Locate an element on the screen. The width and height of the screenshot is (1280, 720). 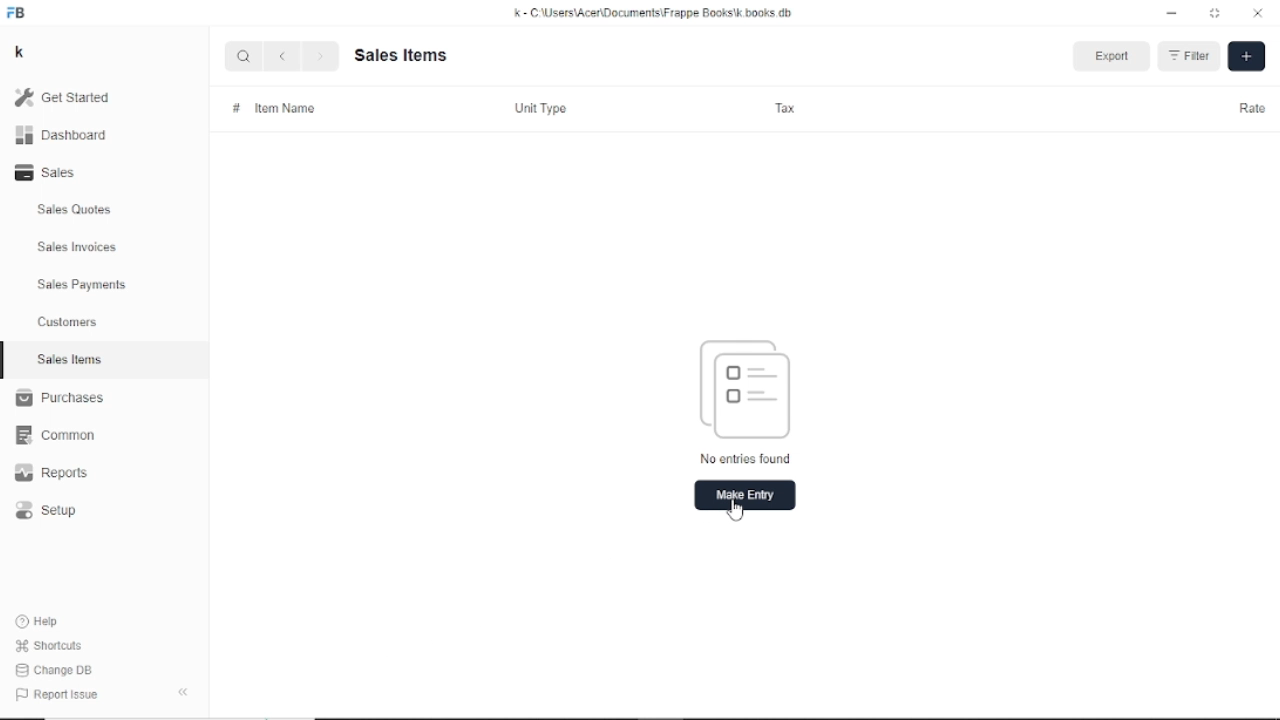
# is located at coordinates (235, 108).